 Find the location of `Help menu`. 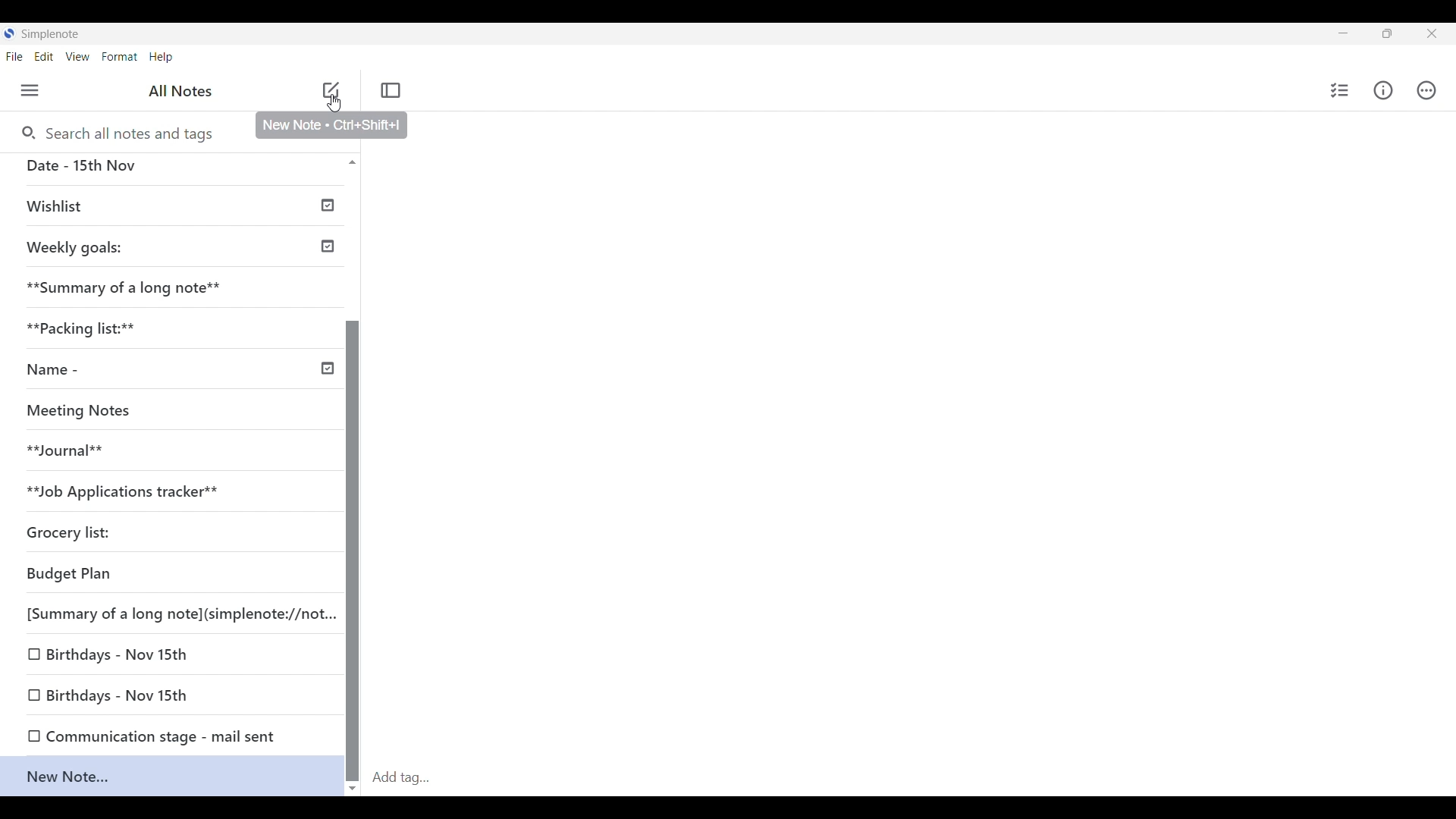

Help menu is located at coordinates (162, 57).